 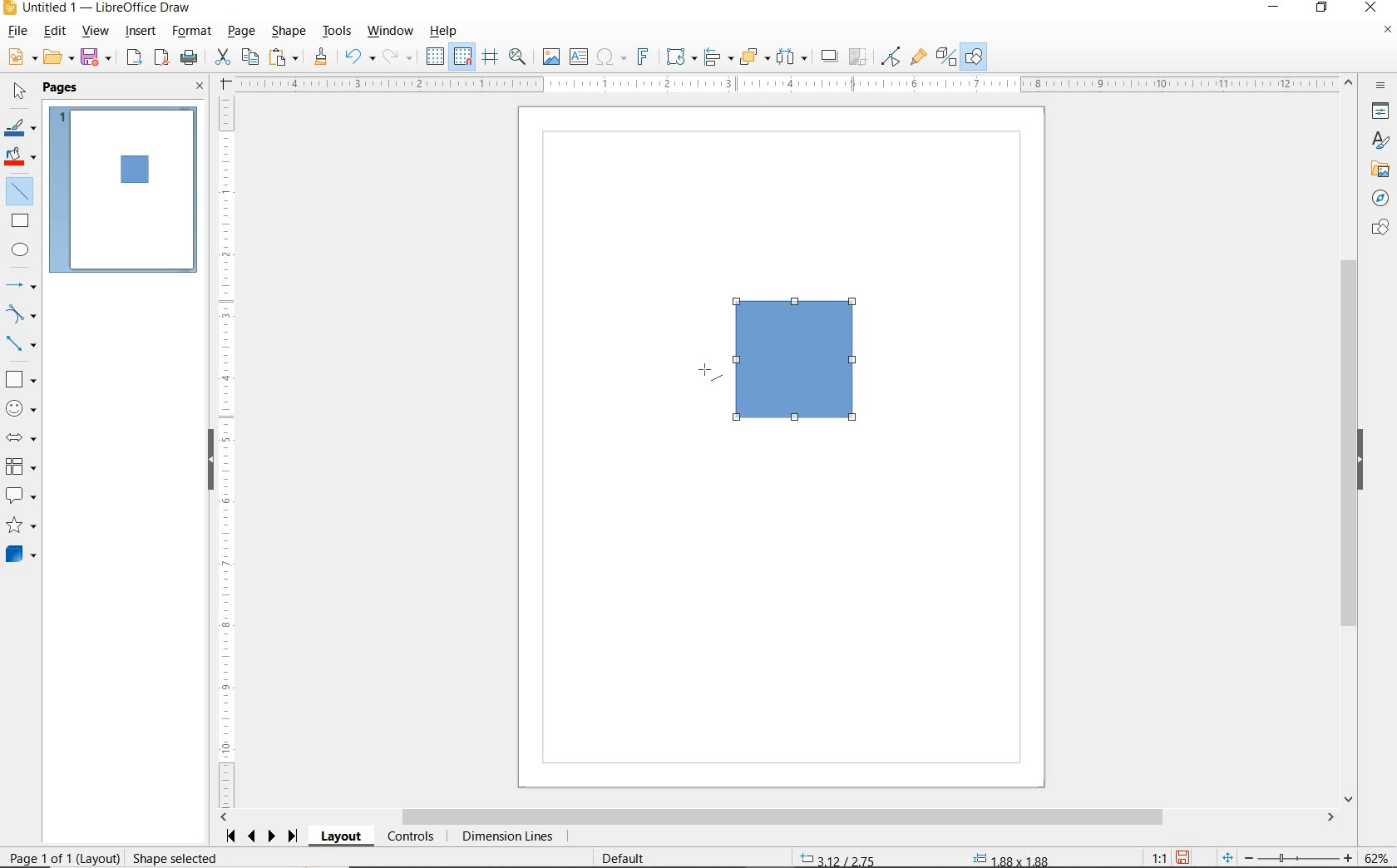 I want to click on PAGE, so click(x=243, y=32).